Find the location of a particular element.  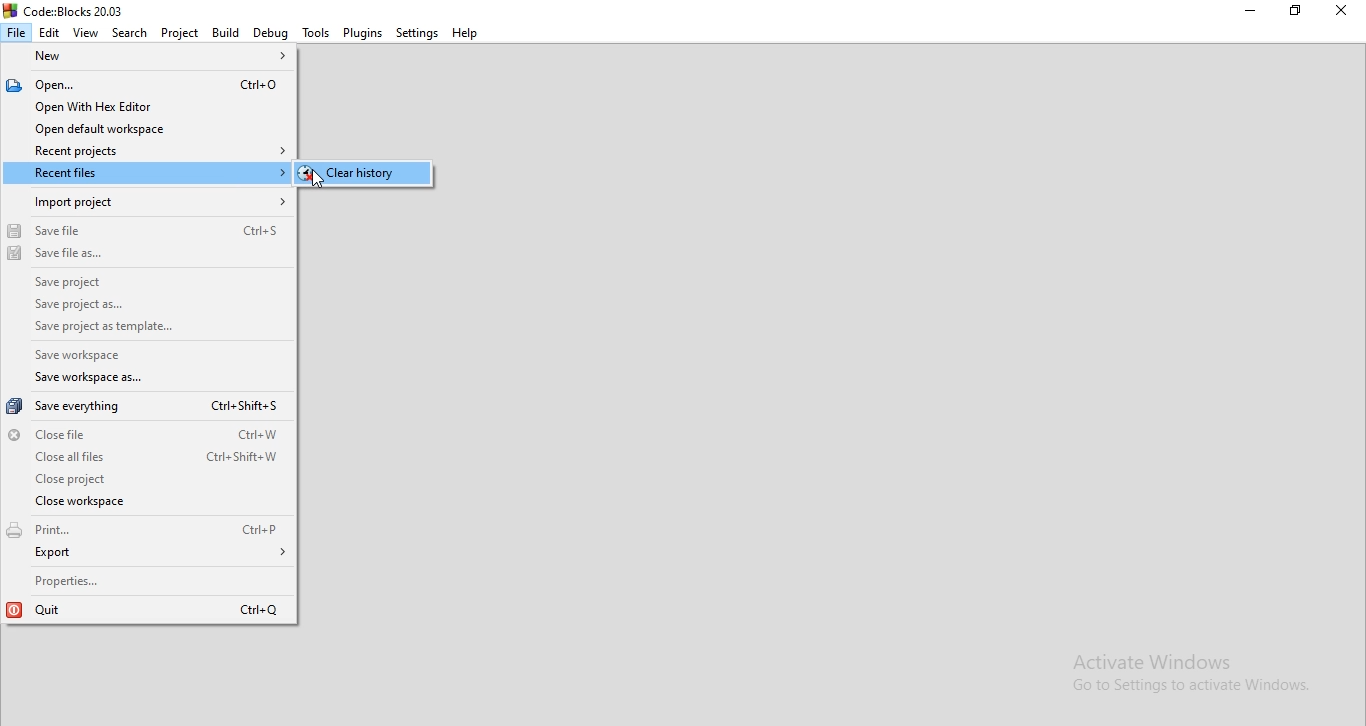

Recent files is located at coordinates (146, 173).